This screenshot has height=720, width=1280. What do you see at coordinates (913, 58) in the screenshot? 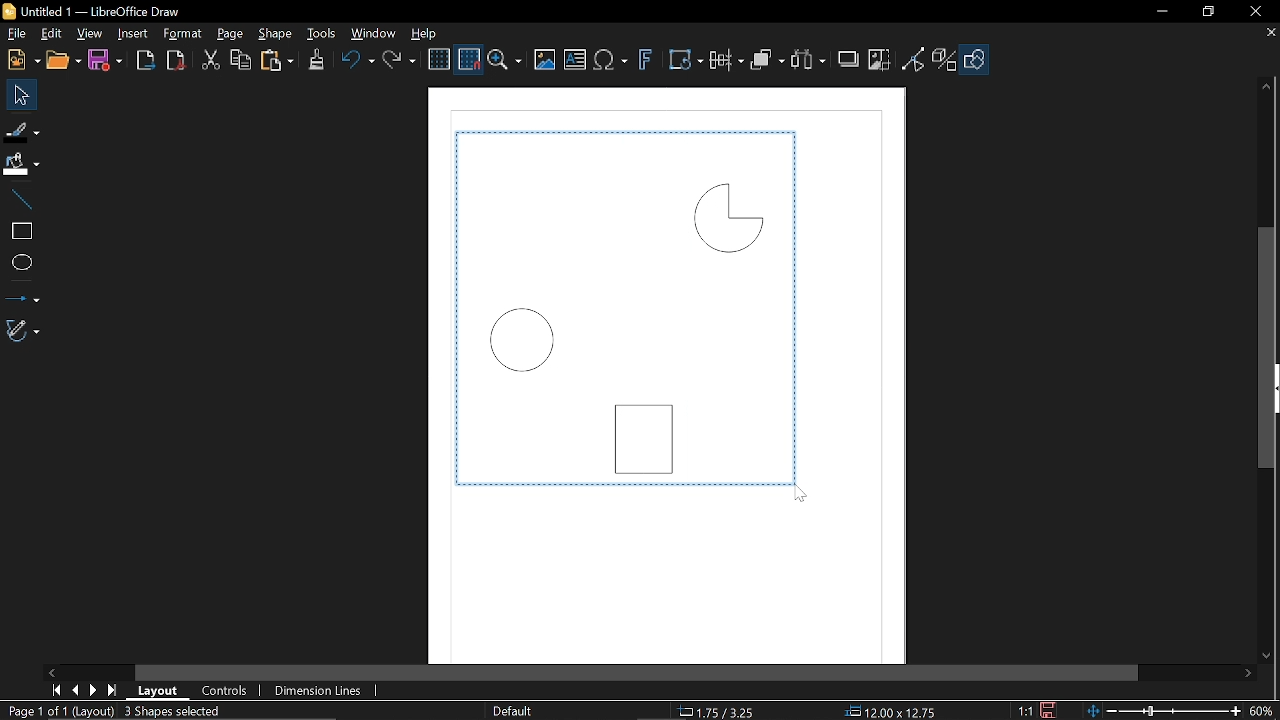
I see `Toggle view` at bounding box center [913, 58].